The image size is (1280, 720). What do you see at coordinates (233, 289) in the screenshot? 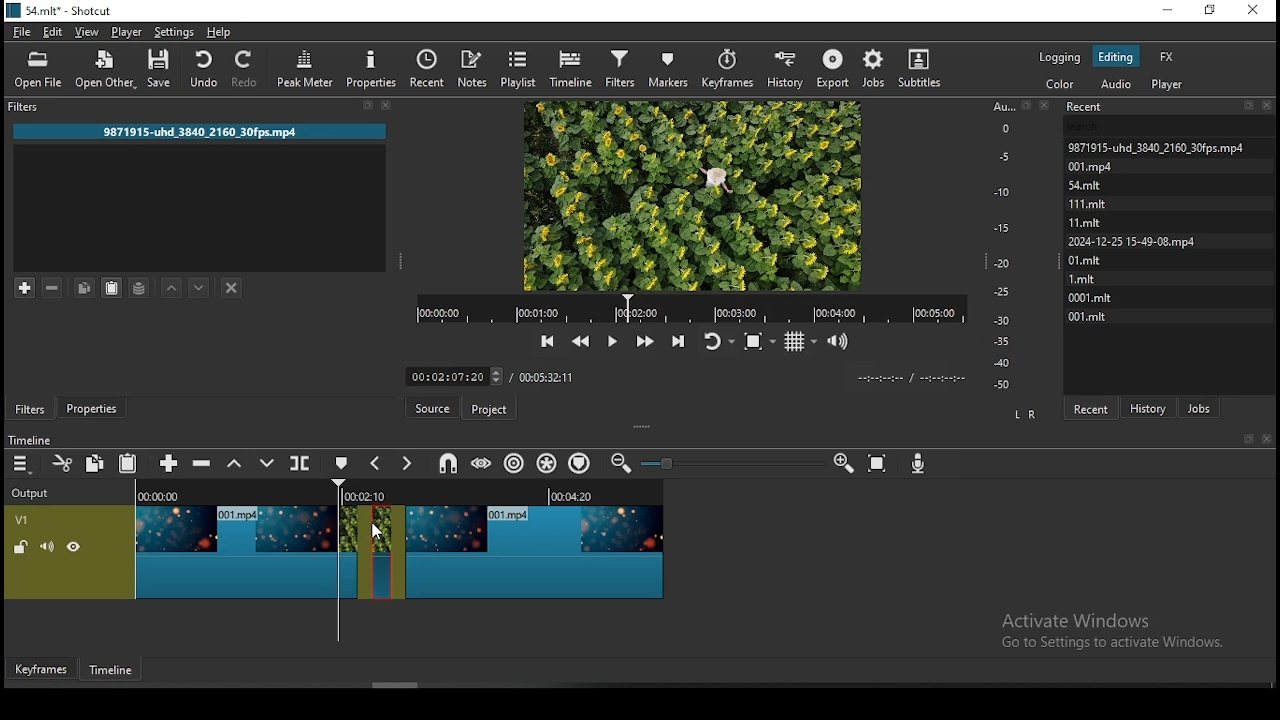
I see `deselect filter` at bounding box center [233, 289].